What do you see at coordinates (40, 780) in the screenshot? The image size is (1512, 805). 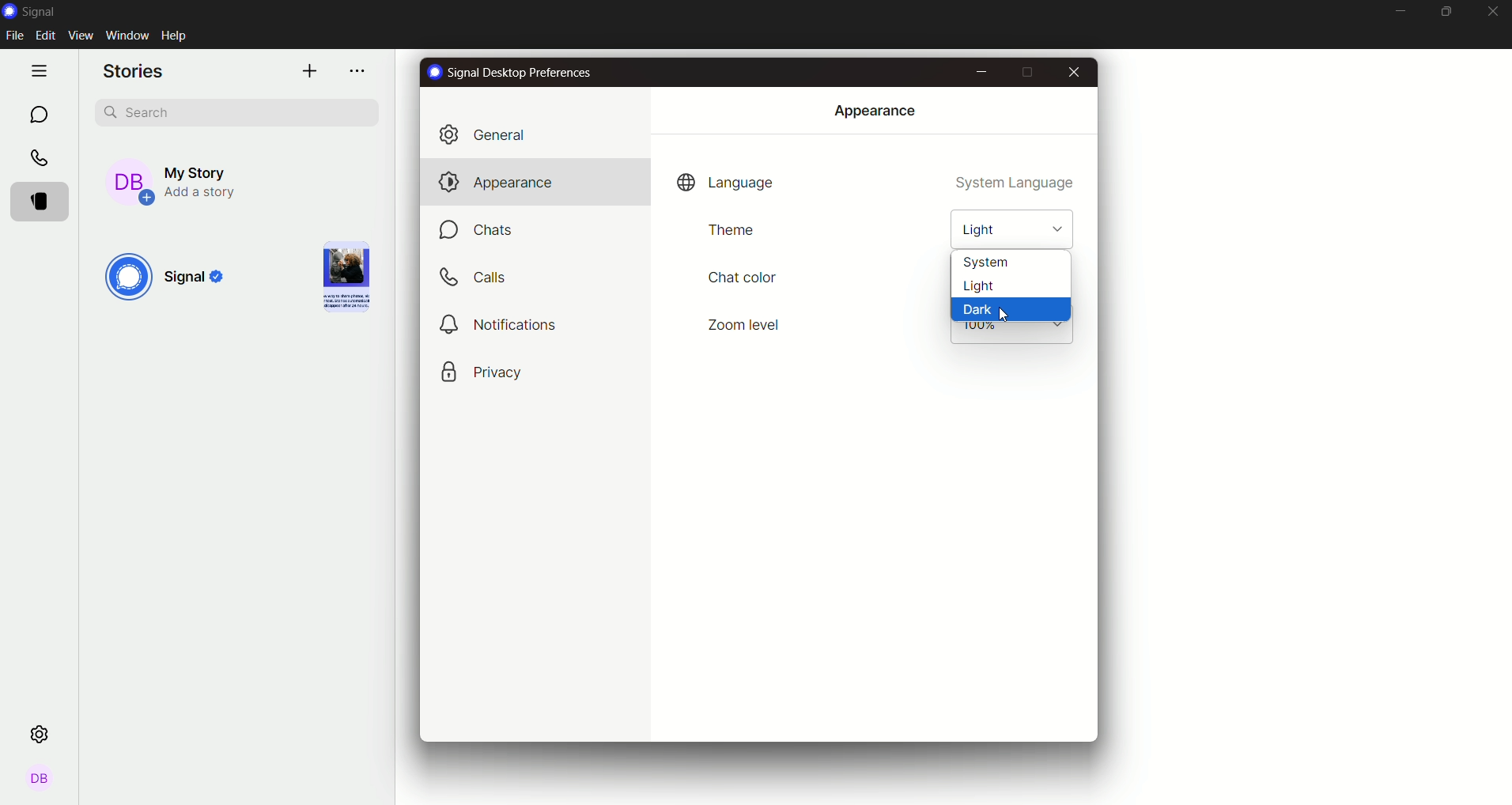 I see `profile` at bounding box center [40, 780].